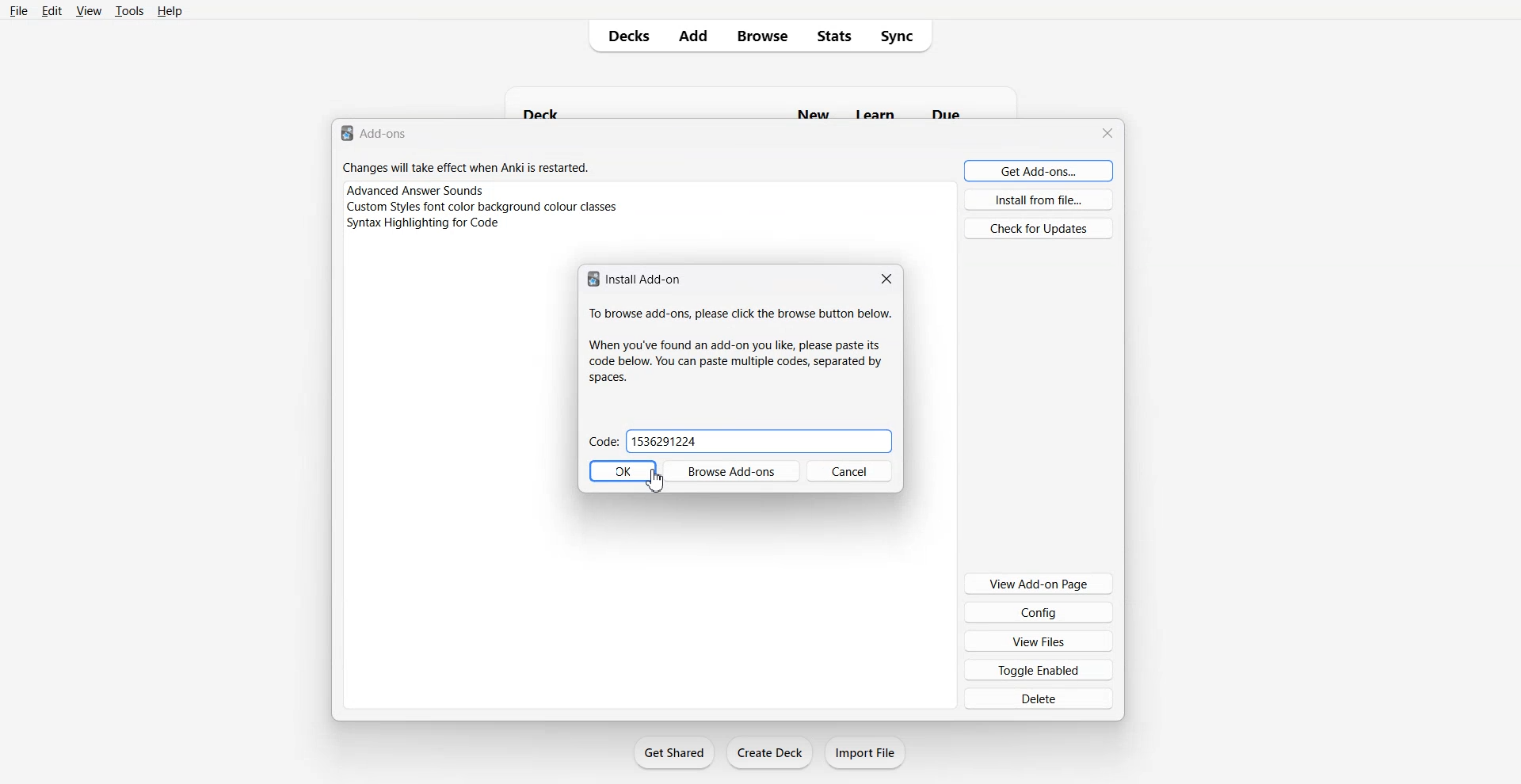 This screenshot has width=1521, height=784. I want to click on Check for Updates, so click(1038, 227).